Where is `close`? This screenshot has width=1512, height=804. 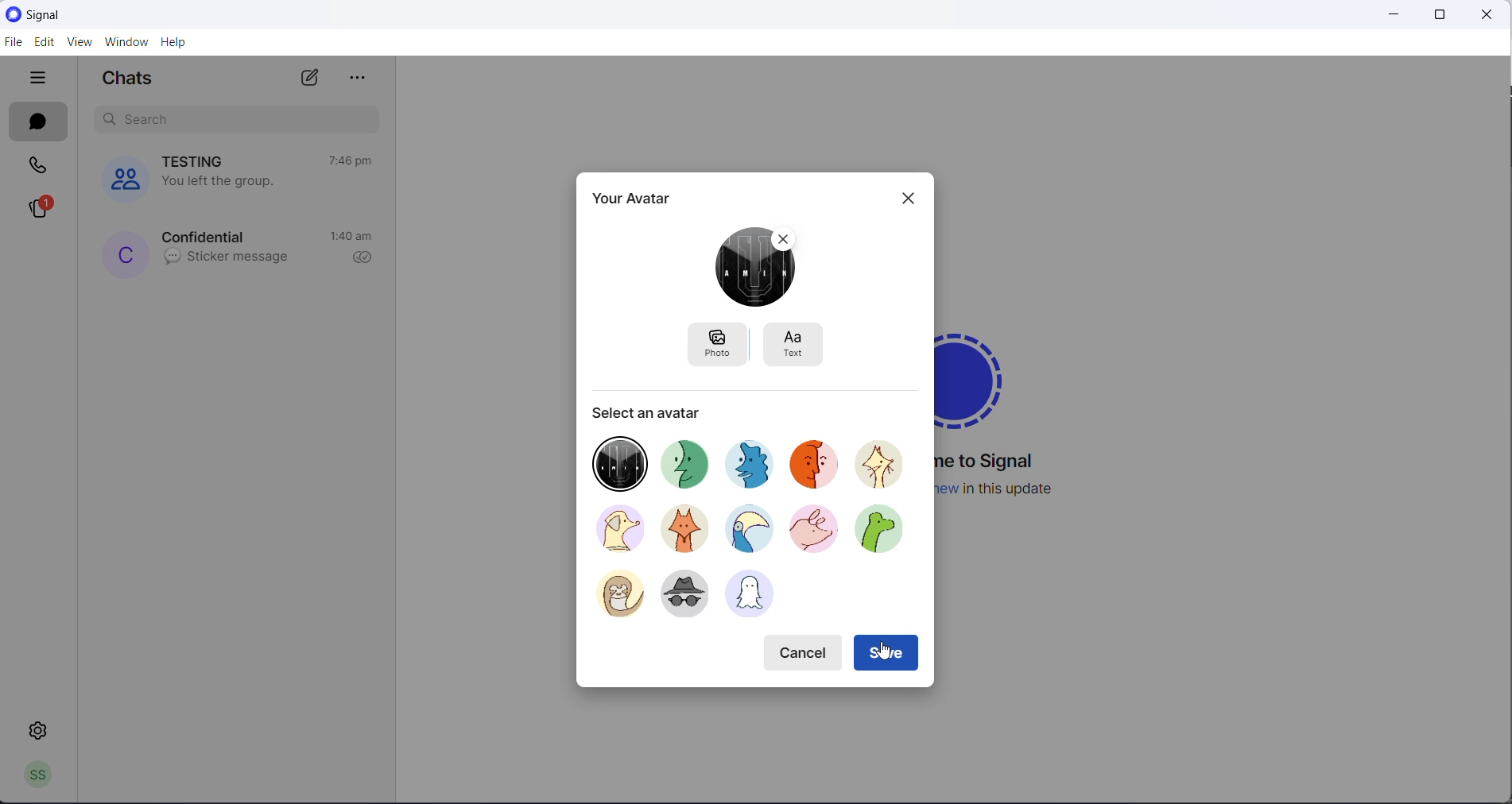 close is located at coordinates (903, 199).